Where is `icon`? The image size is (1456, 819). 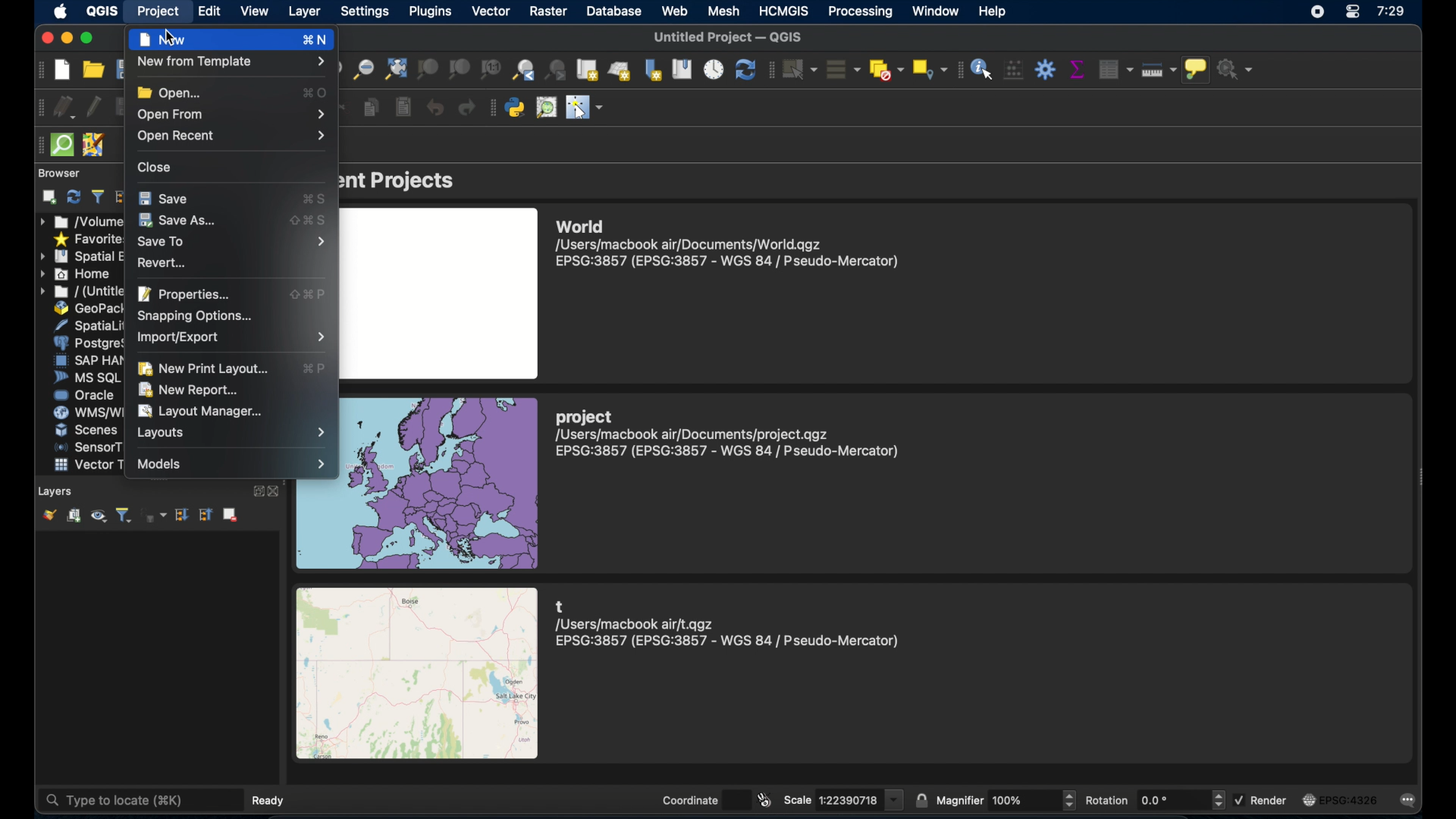 icon is located at coordinates (61, 465).